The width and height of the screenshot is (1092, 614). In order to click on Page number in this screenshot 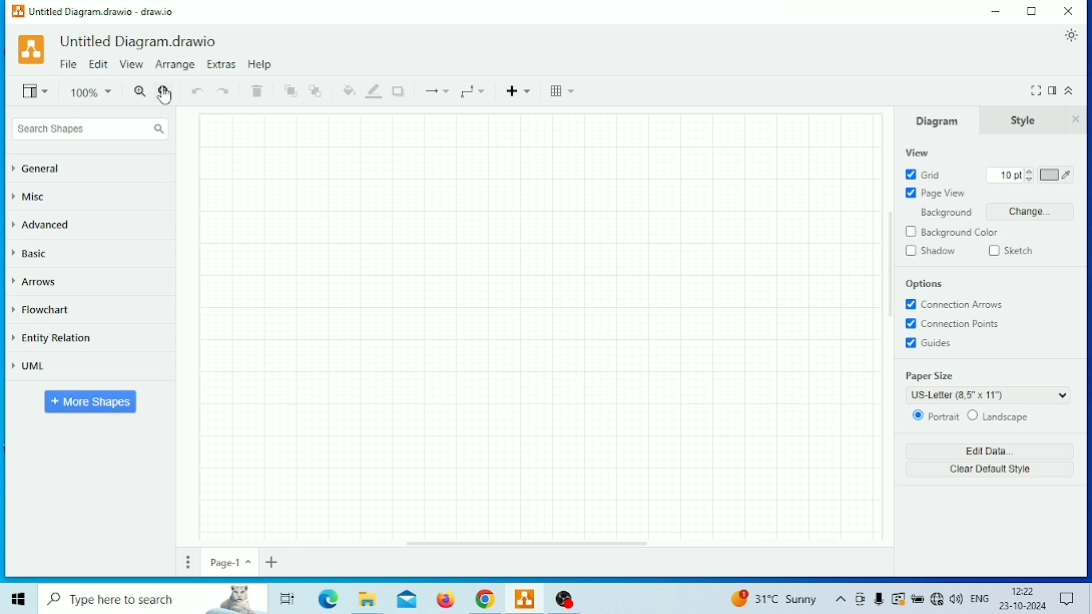, I will do `click(230, 562)`.